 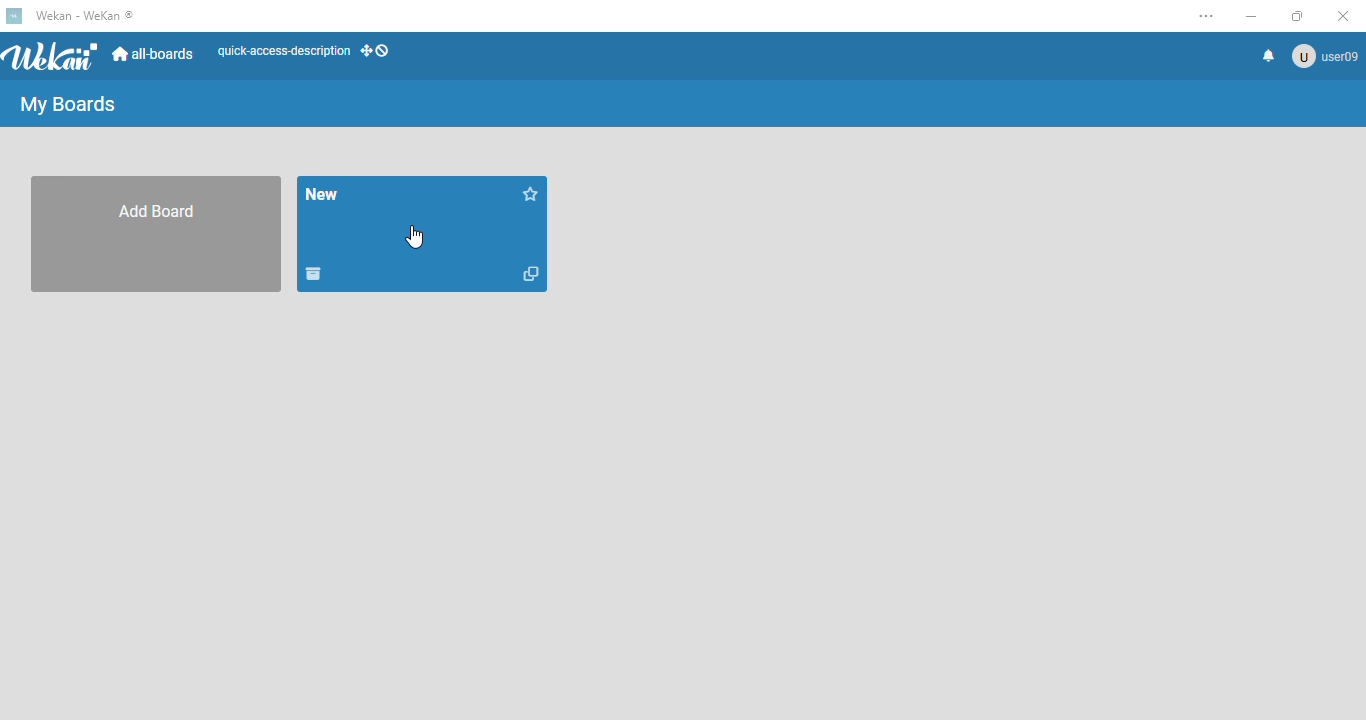 What do you see at coordinates (154, 55) in the screenshot?
I see `all-boards` at bounding box center [154, 55].